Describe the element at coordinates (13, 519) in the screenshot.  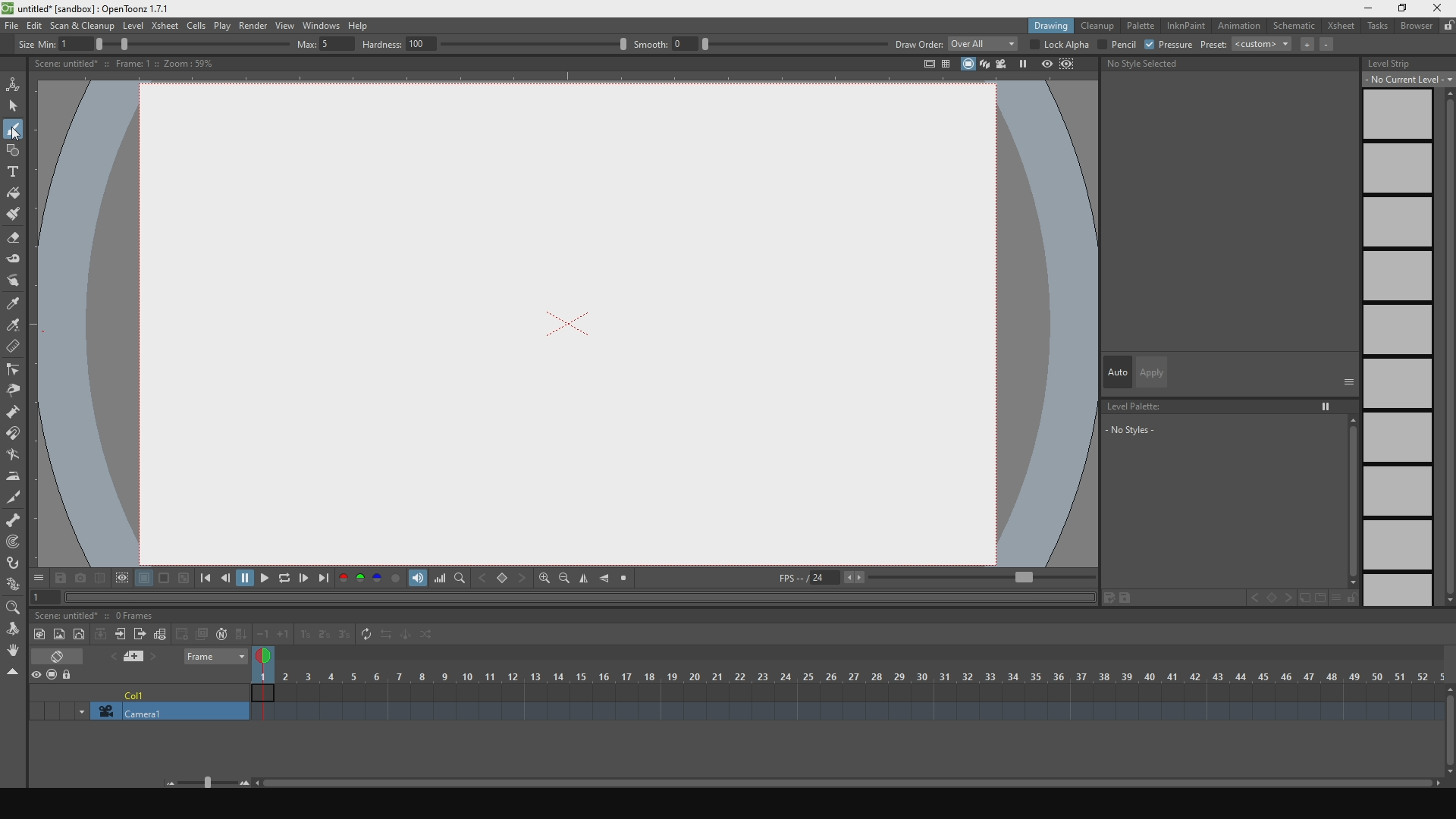
I see `scheleton` at that location.